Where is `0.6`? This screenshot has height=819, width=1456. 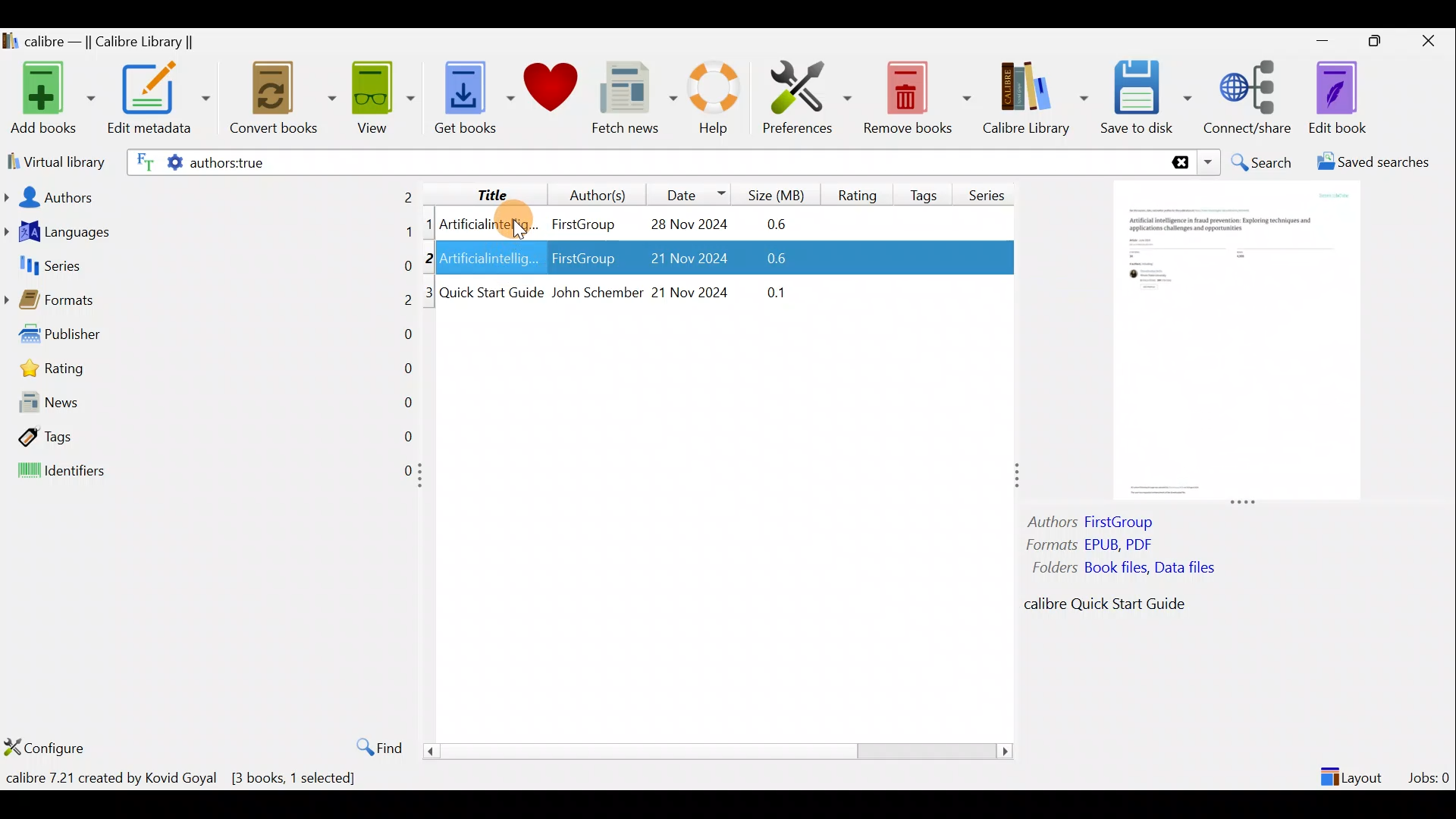
0.6 is located at coordinates (763, 261).